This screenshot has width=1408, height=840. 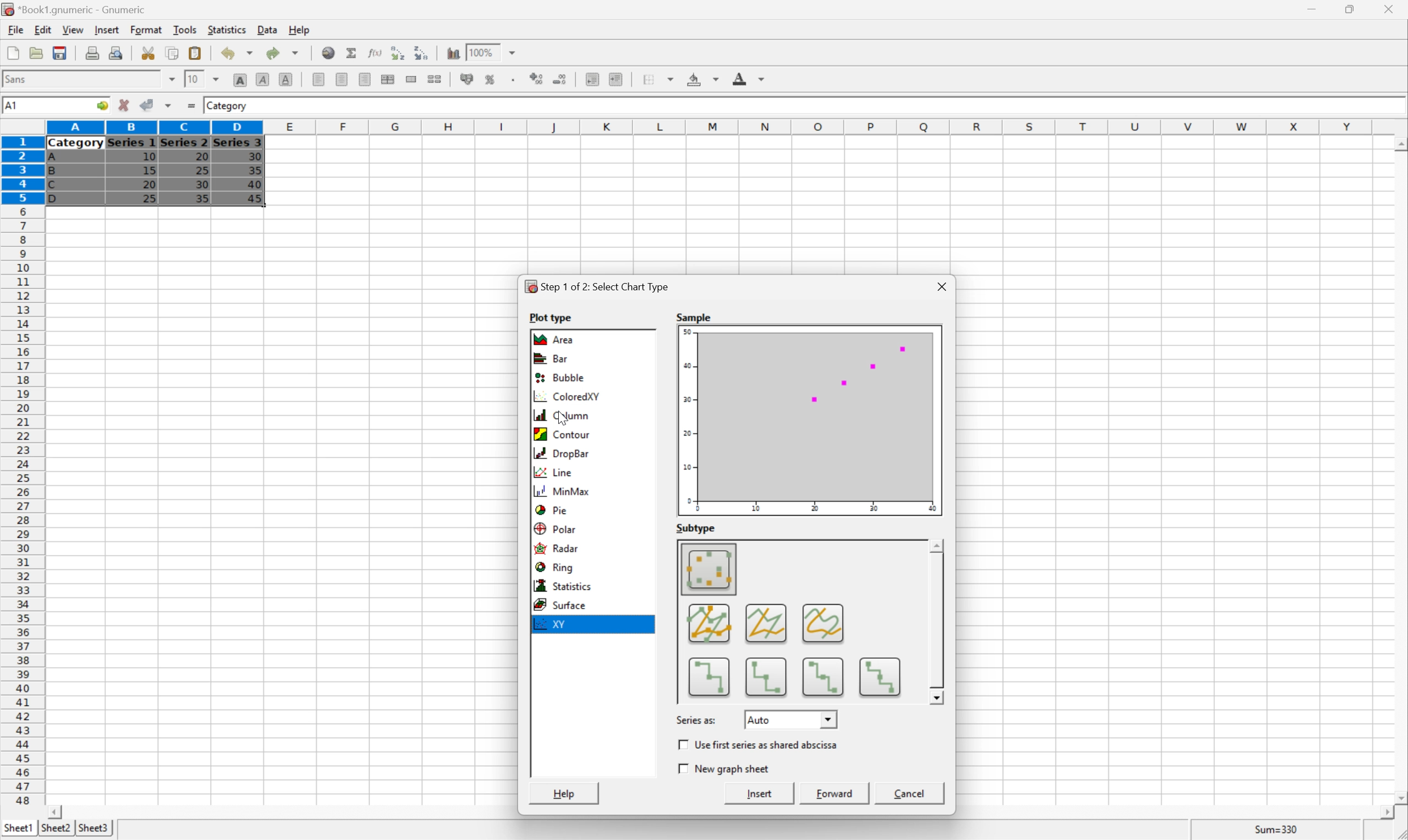 I want to click on Tools, so click(x=185, y=29).